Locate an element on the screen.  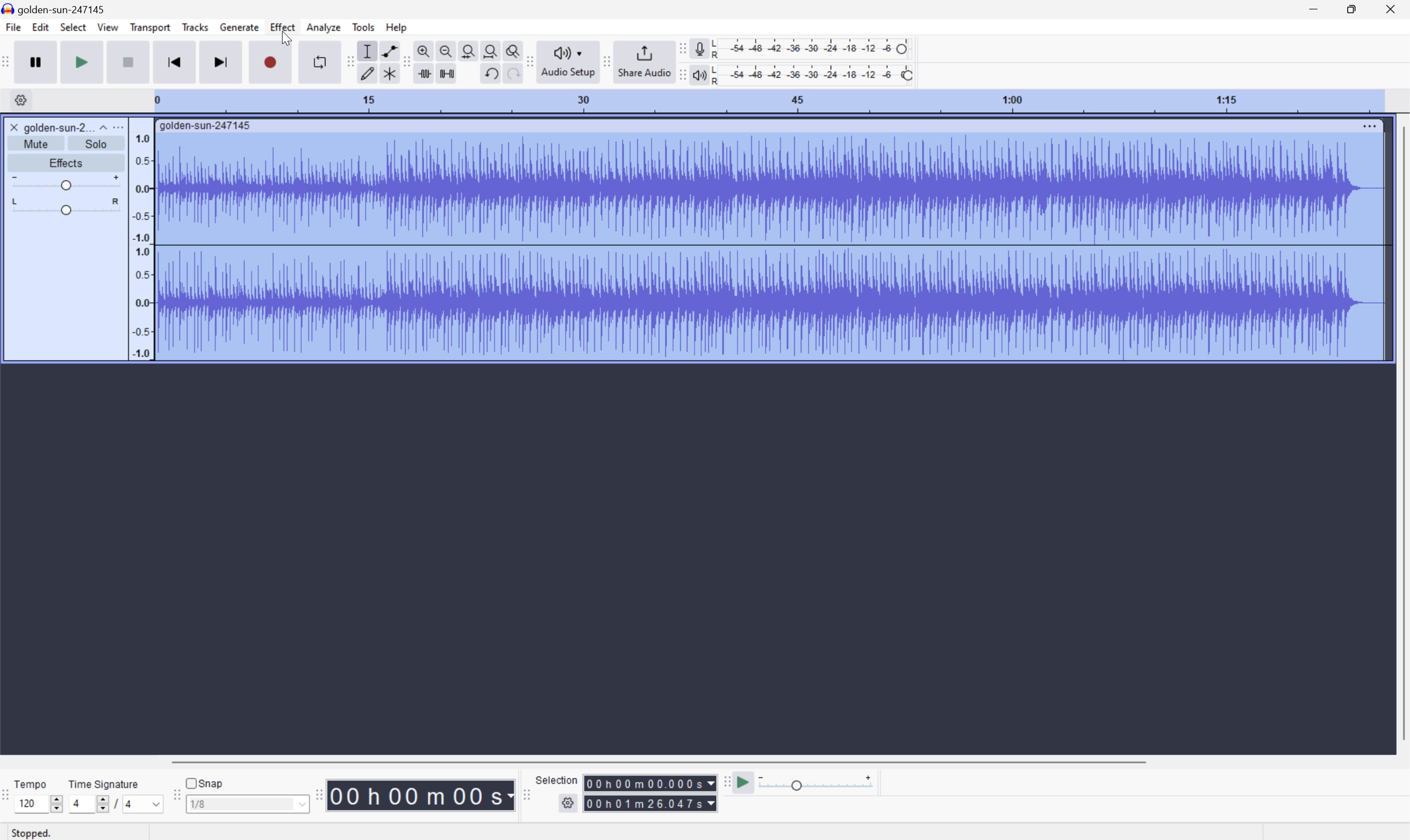
Playback speed: 1.000 x is located at coordinates (818, 781).